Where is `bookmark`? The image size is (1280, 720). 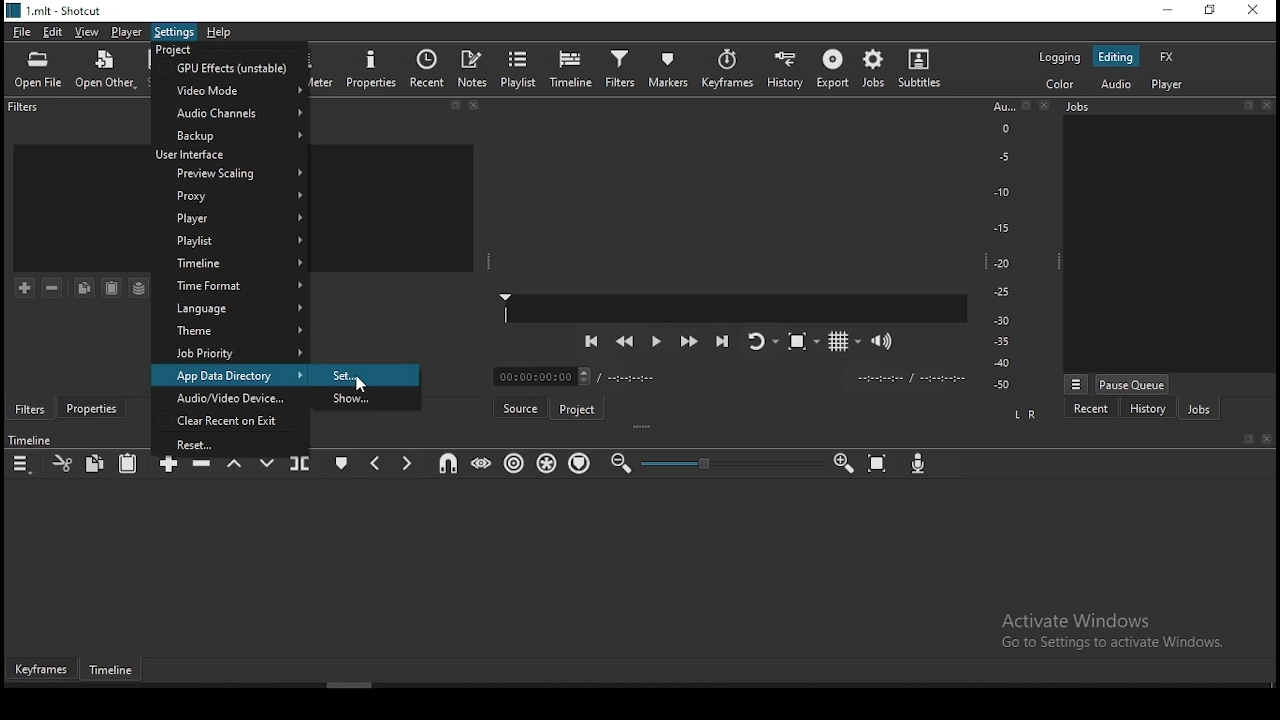
bookmark is located at coordinates (455, 107).